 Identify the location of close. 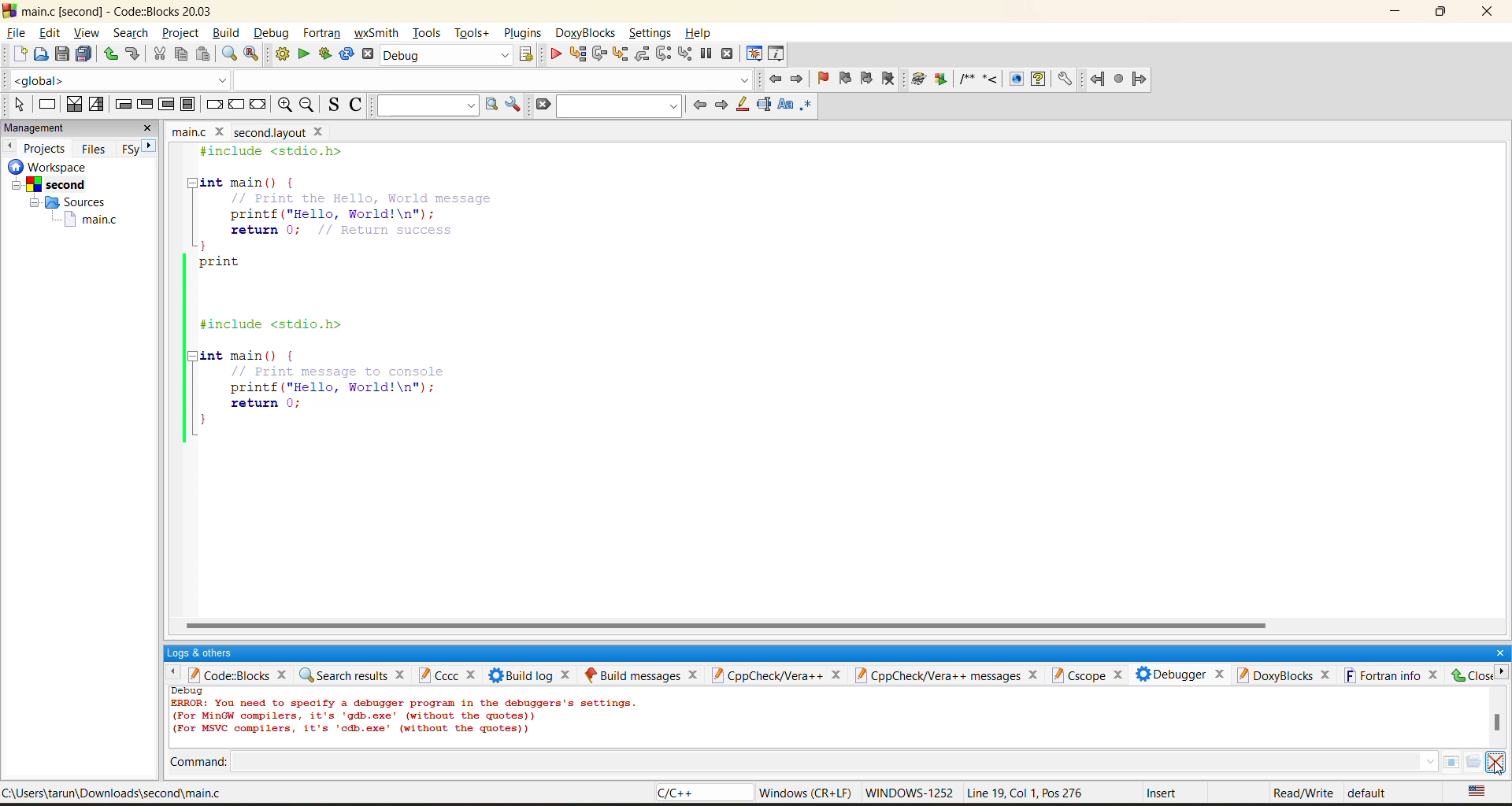
(1498, 650).